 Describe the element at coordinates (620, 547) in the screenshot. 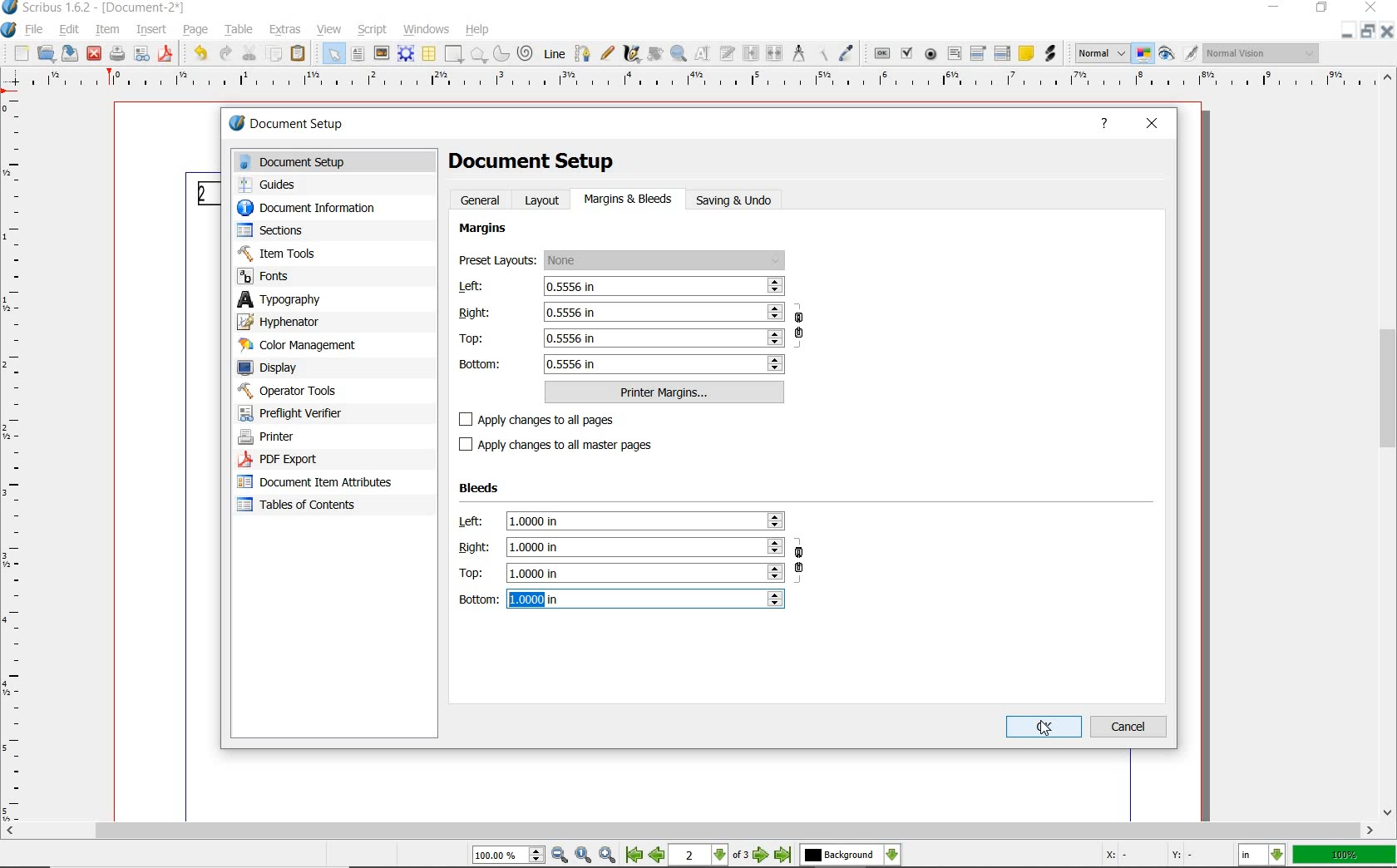

I see `Right: 1.0000 in` at that location.